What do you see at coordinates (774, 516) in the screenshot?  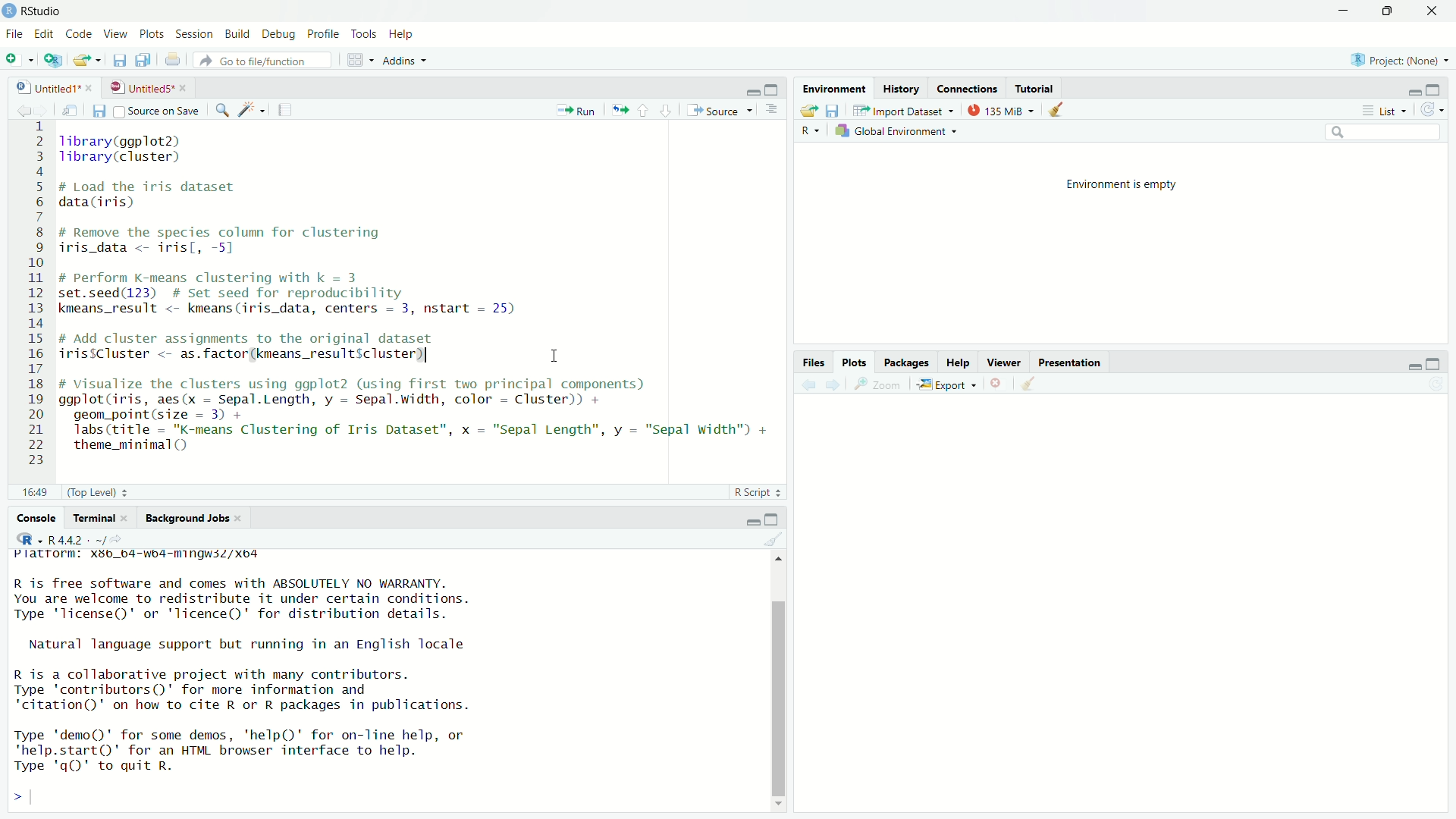 I see `maximize` at bounding box center [774, 516].